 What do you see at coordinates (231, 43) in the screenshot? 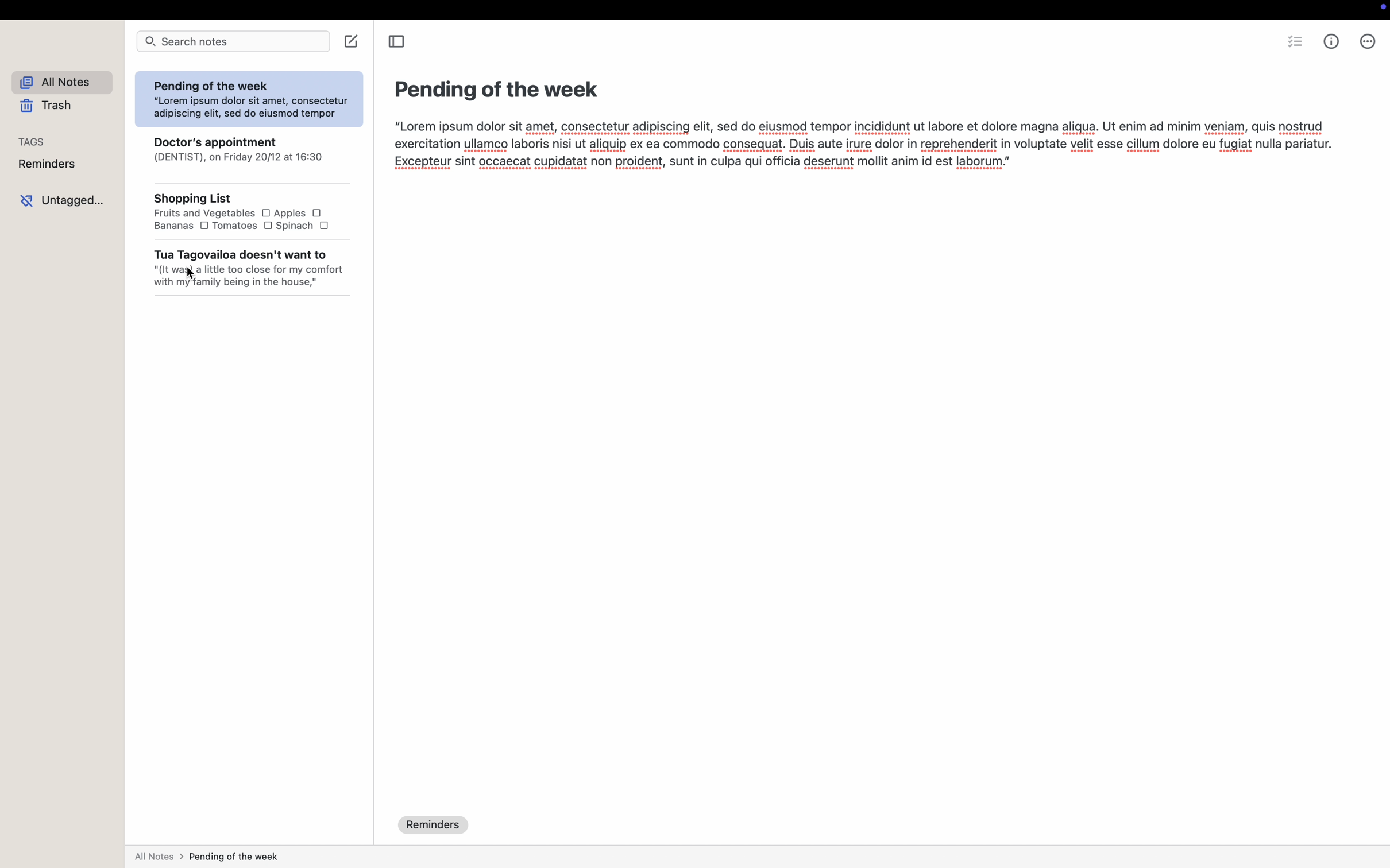
I see `search bar` at bounding box center [231, 43].